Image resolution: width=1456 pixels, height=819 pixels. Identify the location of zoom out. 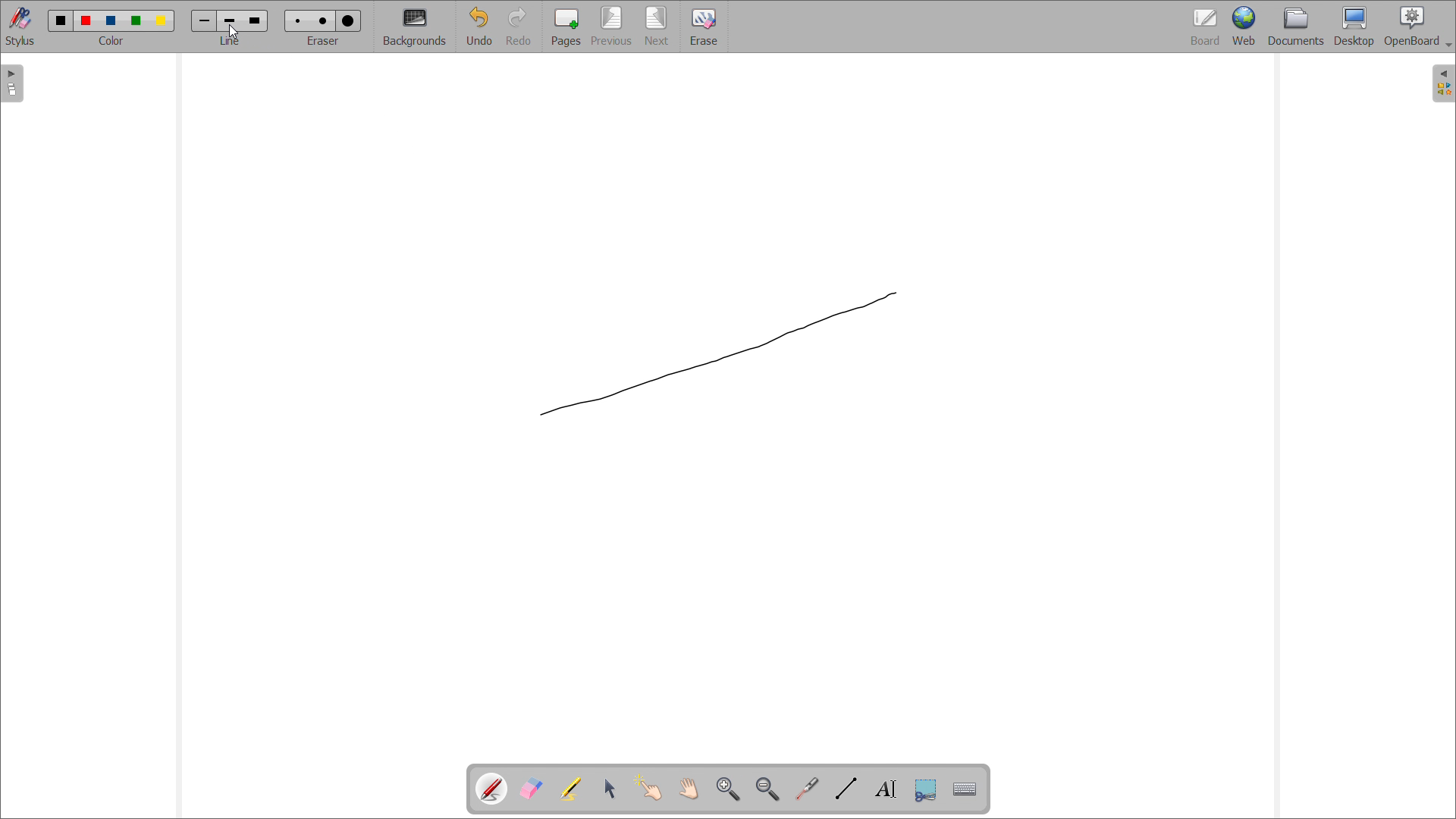
(768, 789).